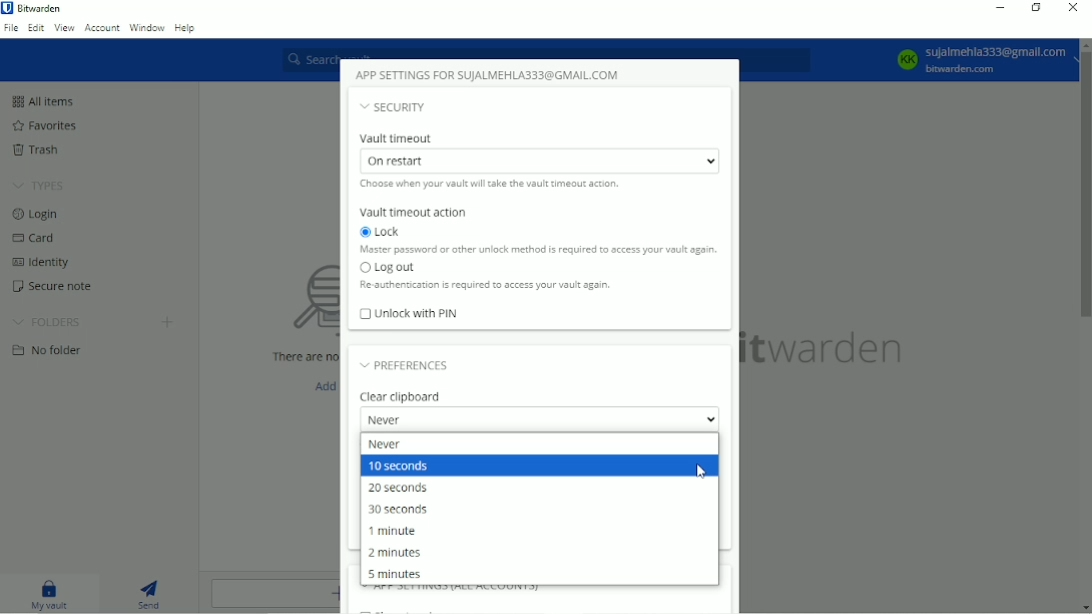 This screenshot has width=1092, height=614. Describe the element at coordinates (538, 419) in the screenshot. I see `Never` at that location.